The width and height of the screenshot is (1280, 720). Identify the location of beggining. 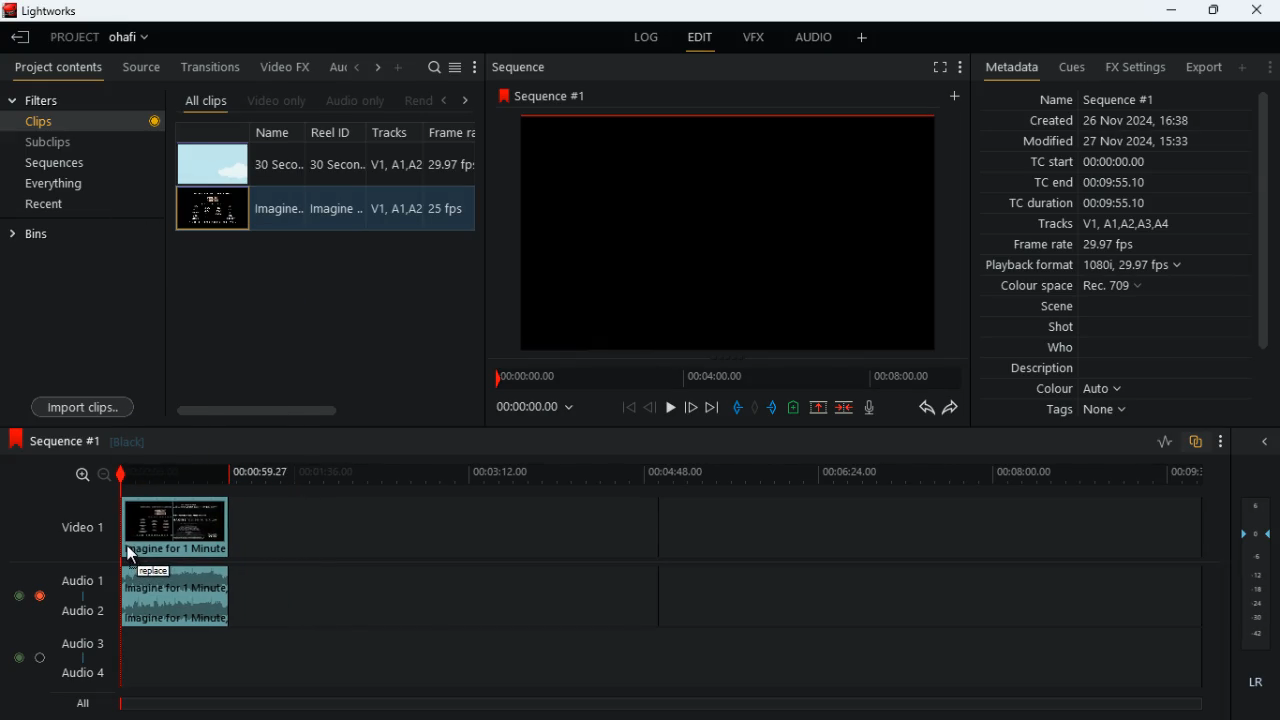
(628, 407).